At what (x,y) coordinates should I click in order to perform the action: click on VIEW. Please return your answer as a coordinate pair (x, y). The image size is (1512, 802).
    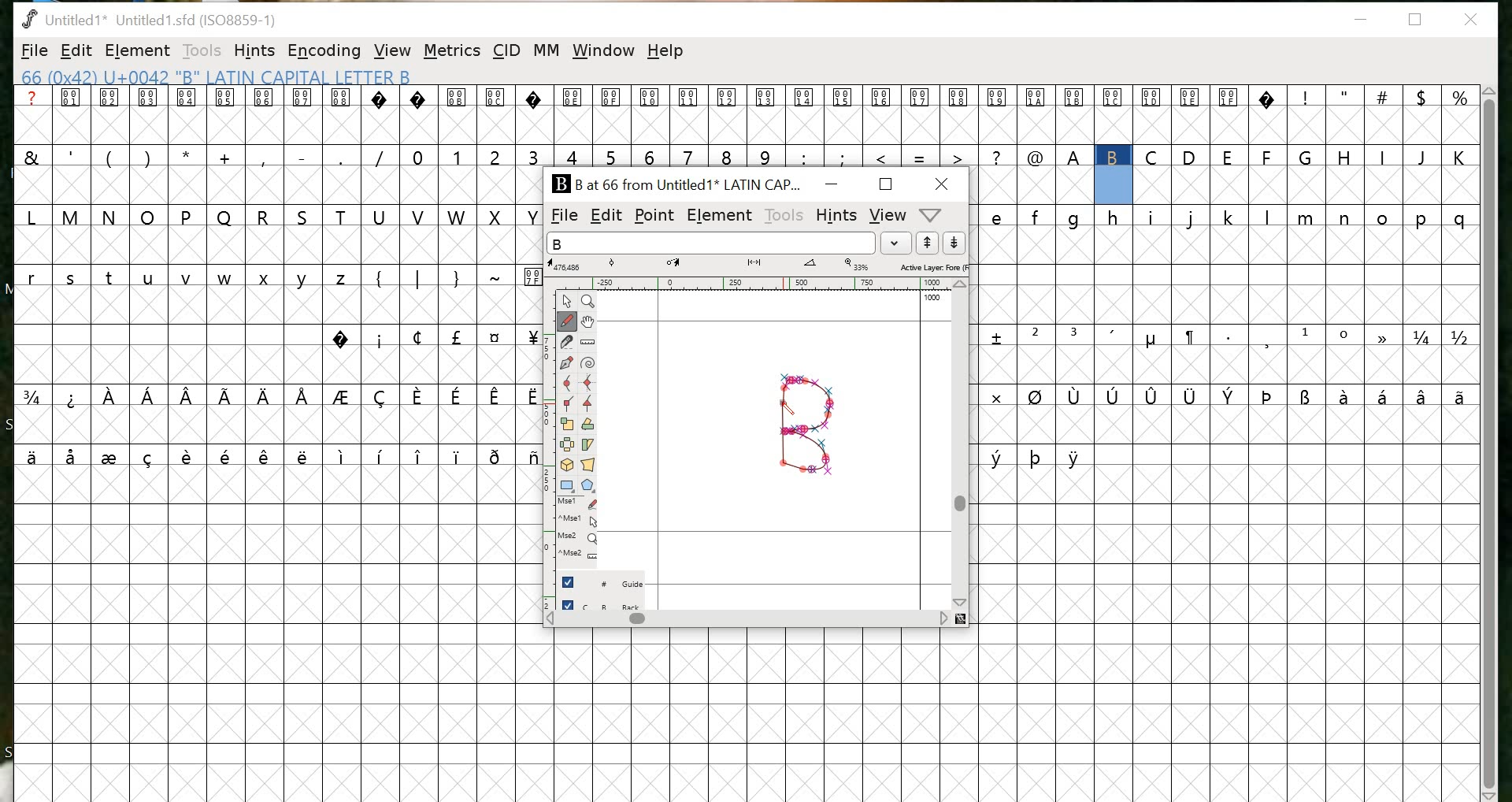
    Looking at the image, I should click on (394, 51).